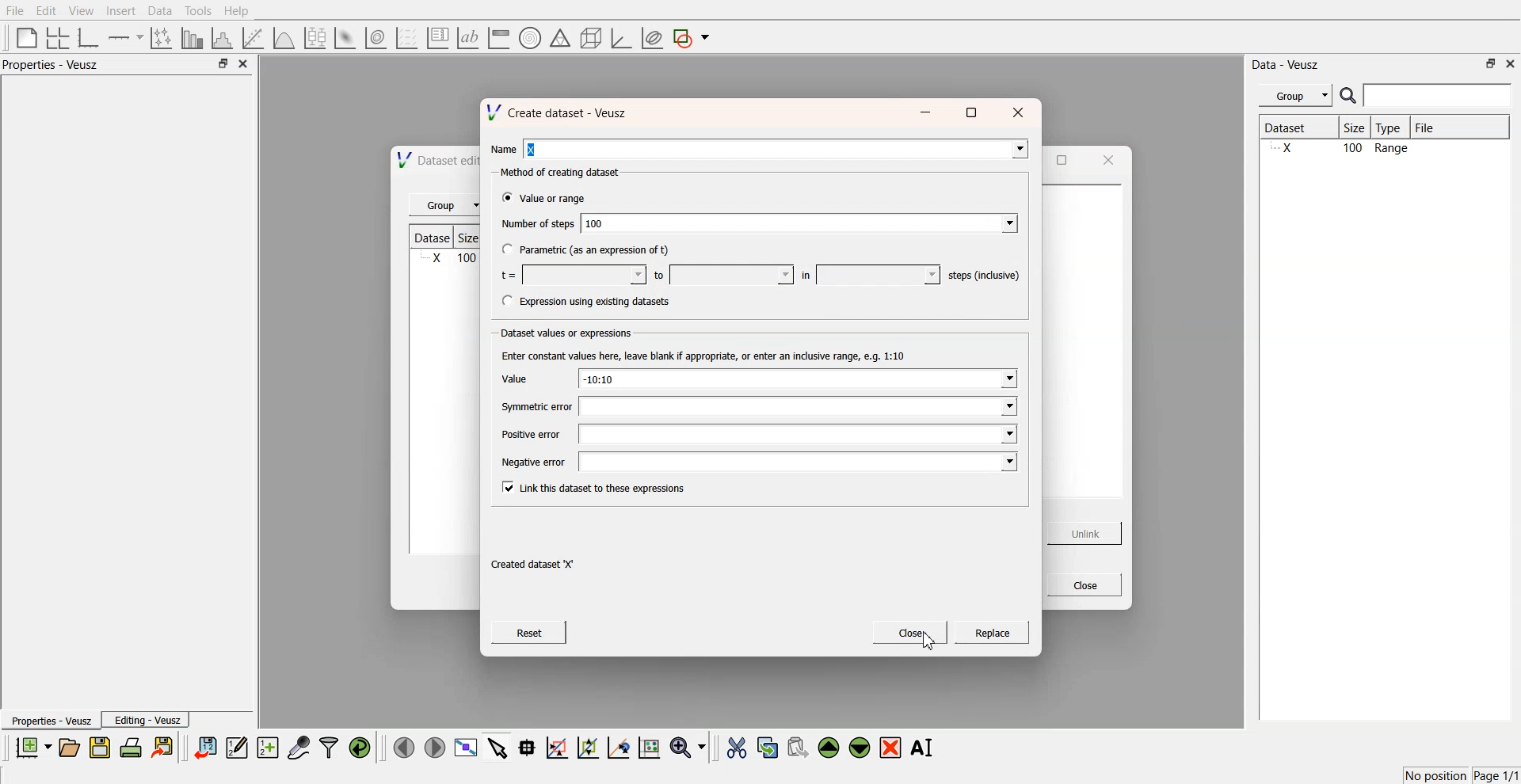  What do you see at coordinates (268, 748) in the screenshot?
I see `create new datasets` at bounding box center [268, 748].